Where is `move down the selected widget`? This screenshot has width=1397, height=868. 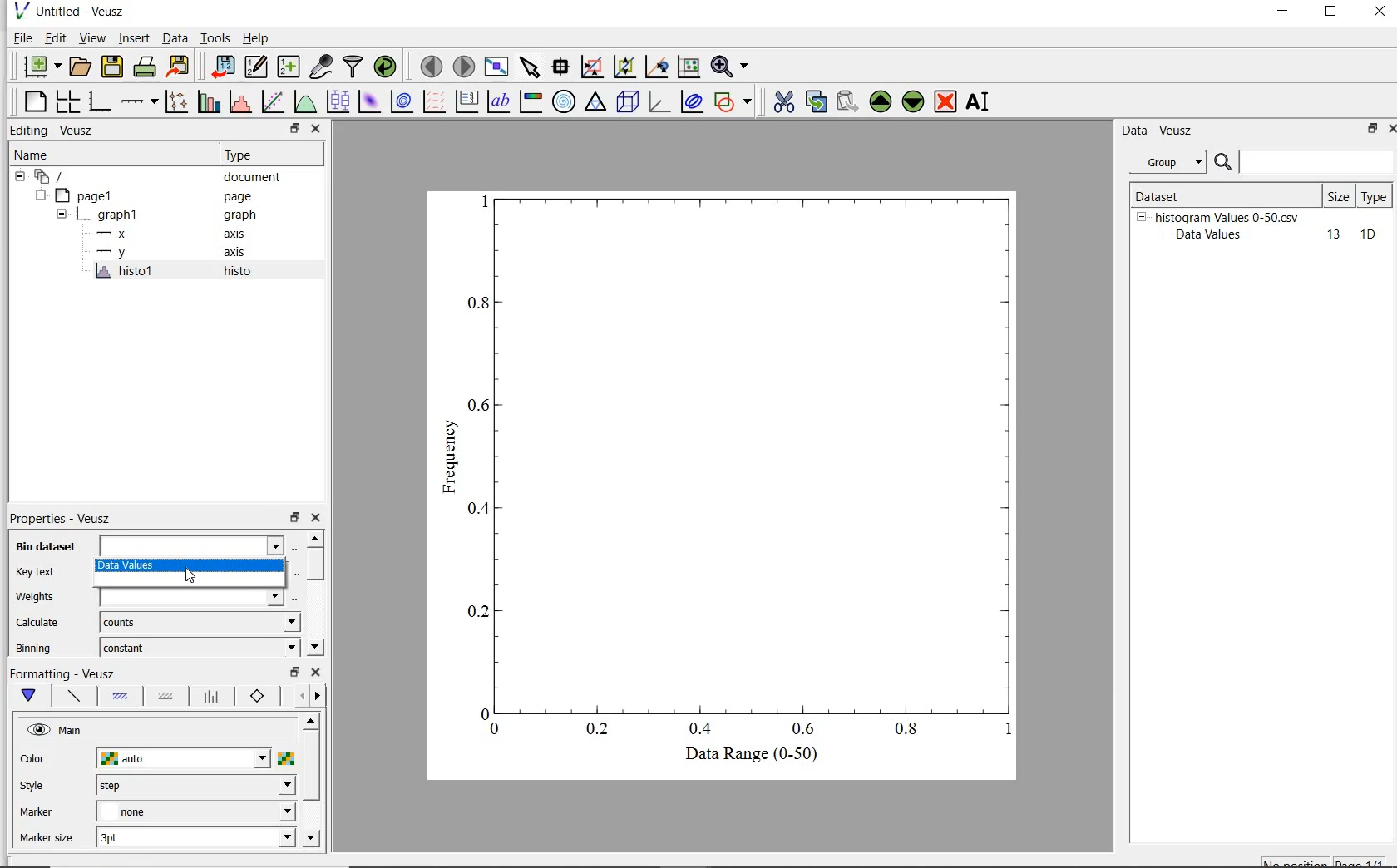
move down the selected widget is located at coordinates (913, 104).